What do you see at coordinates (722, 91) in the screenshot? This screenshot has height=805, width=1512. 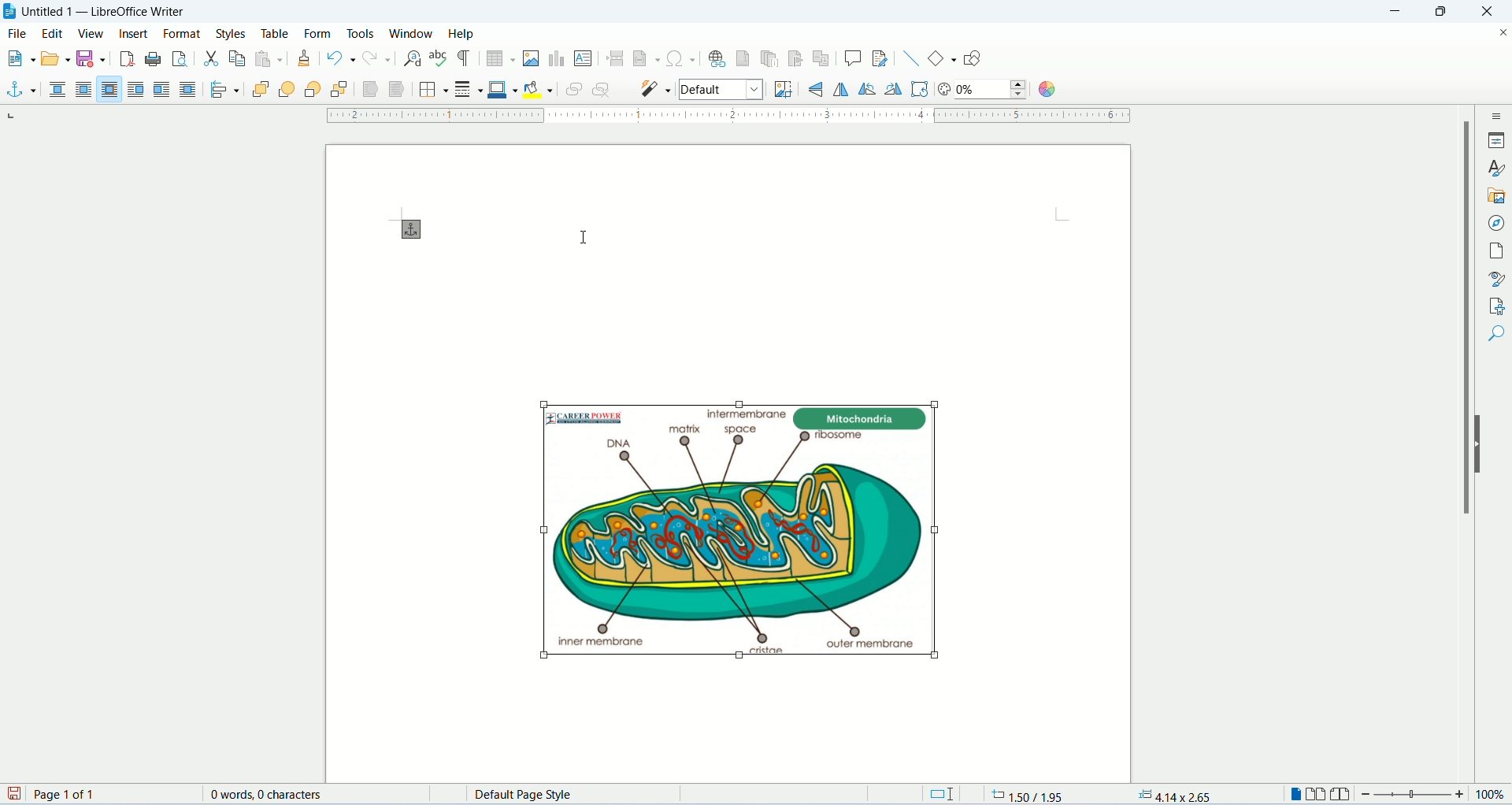 I see `image mode` at bounding box center [722, 91].